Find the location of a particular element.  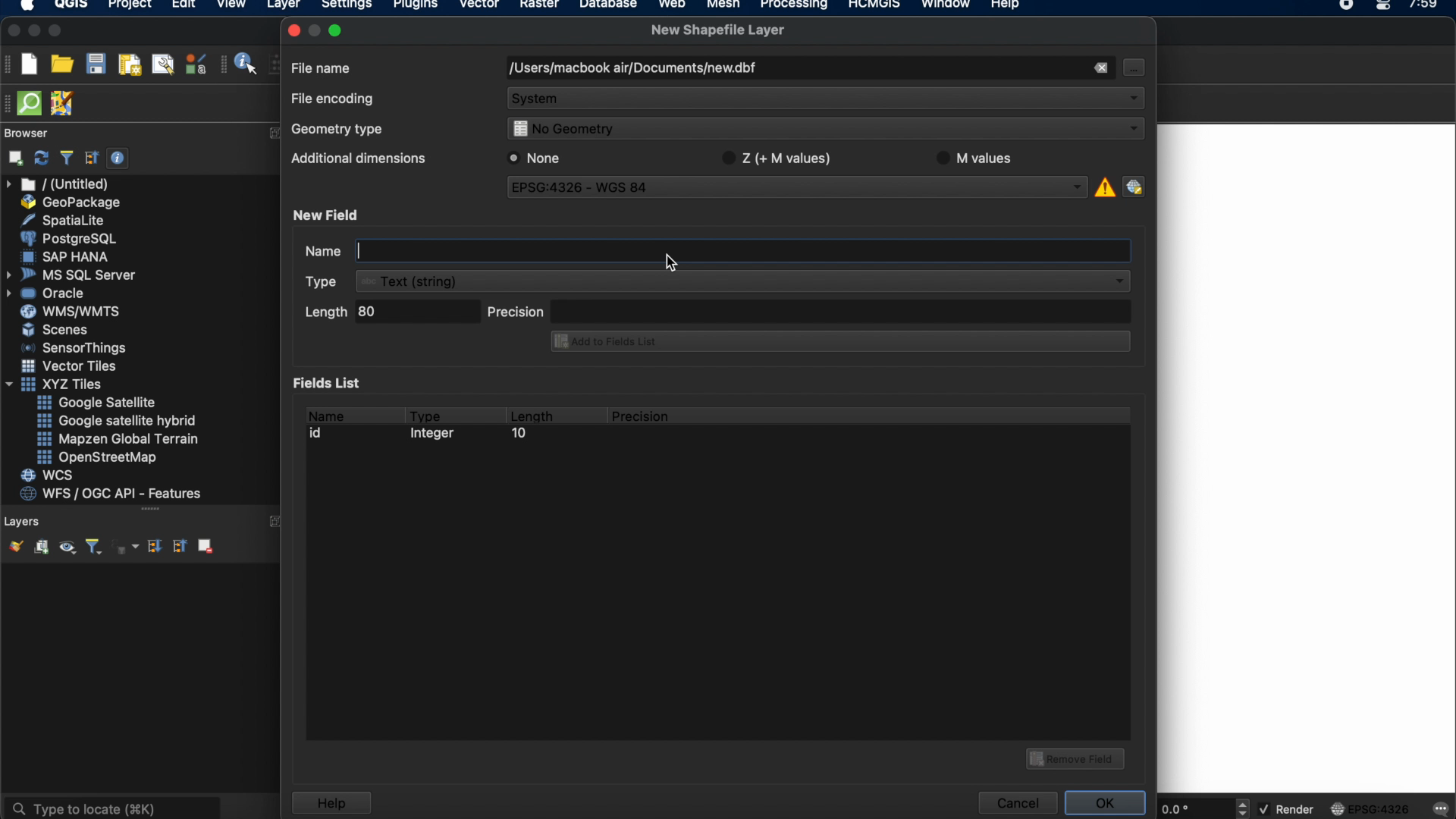

mapzen global terrain is located at coordinates (118, 439).